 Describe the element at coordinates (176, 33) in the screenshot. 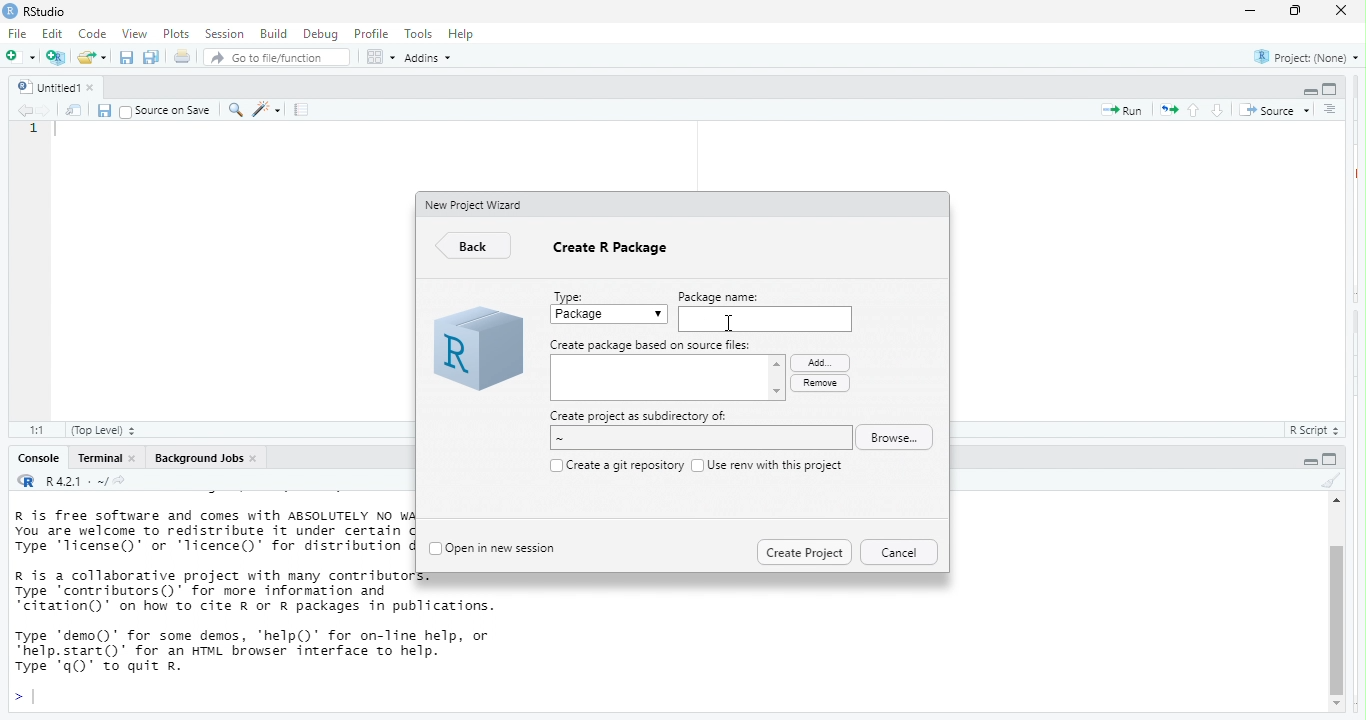

I see `Plots` at that location.